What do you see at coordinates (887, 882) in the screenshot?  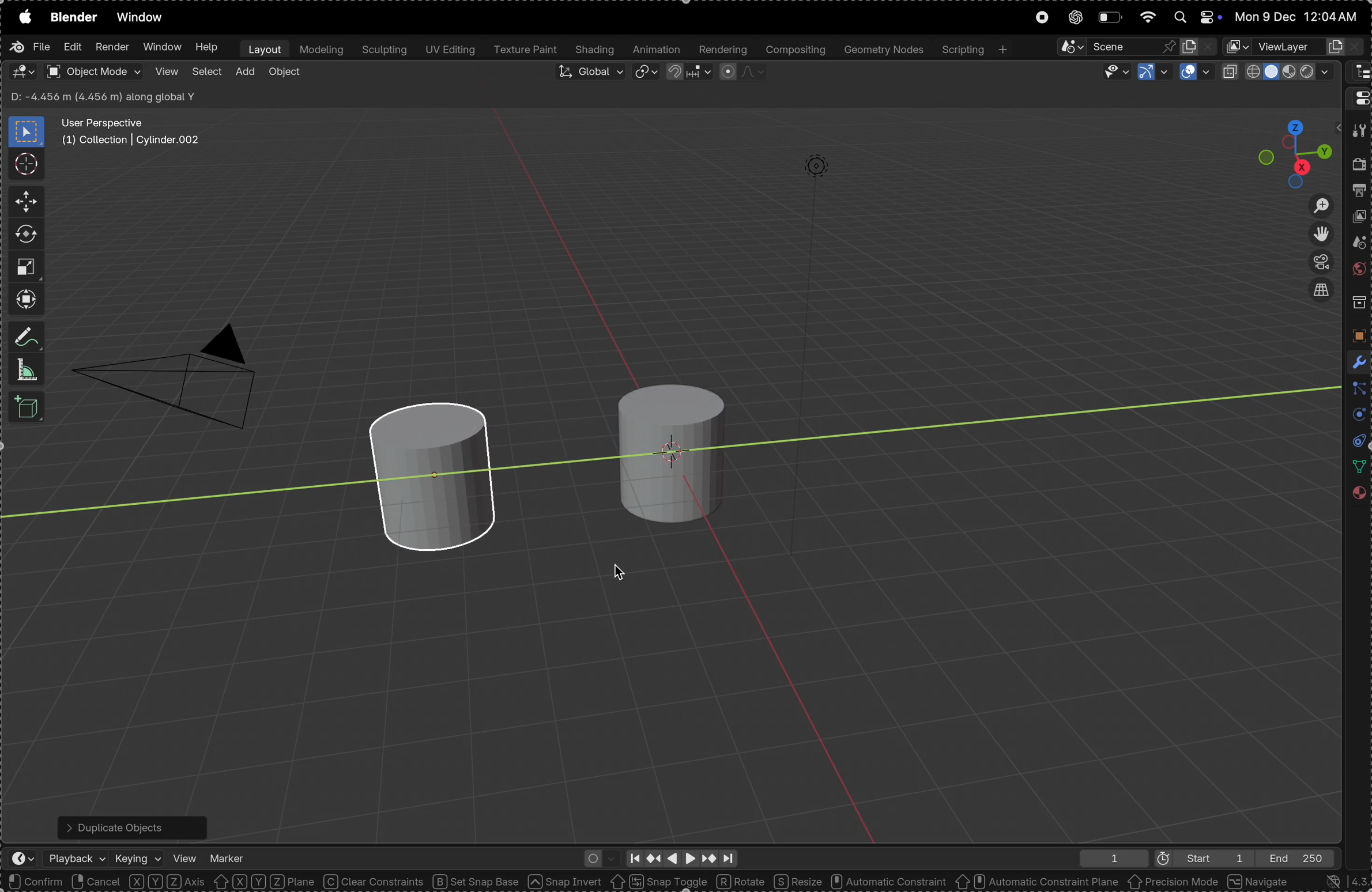 I see `automatic constraint` at bounding box center [887, 882].